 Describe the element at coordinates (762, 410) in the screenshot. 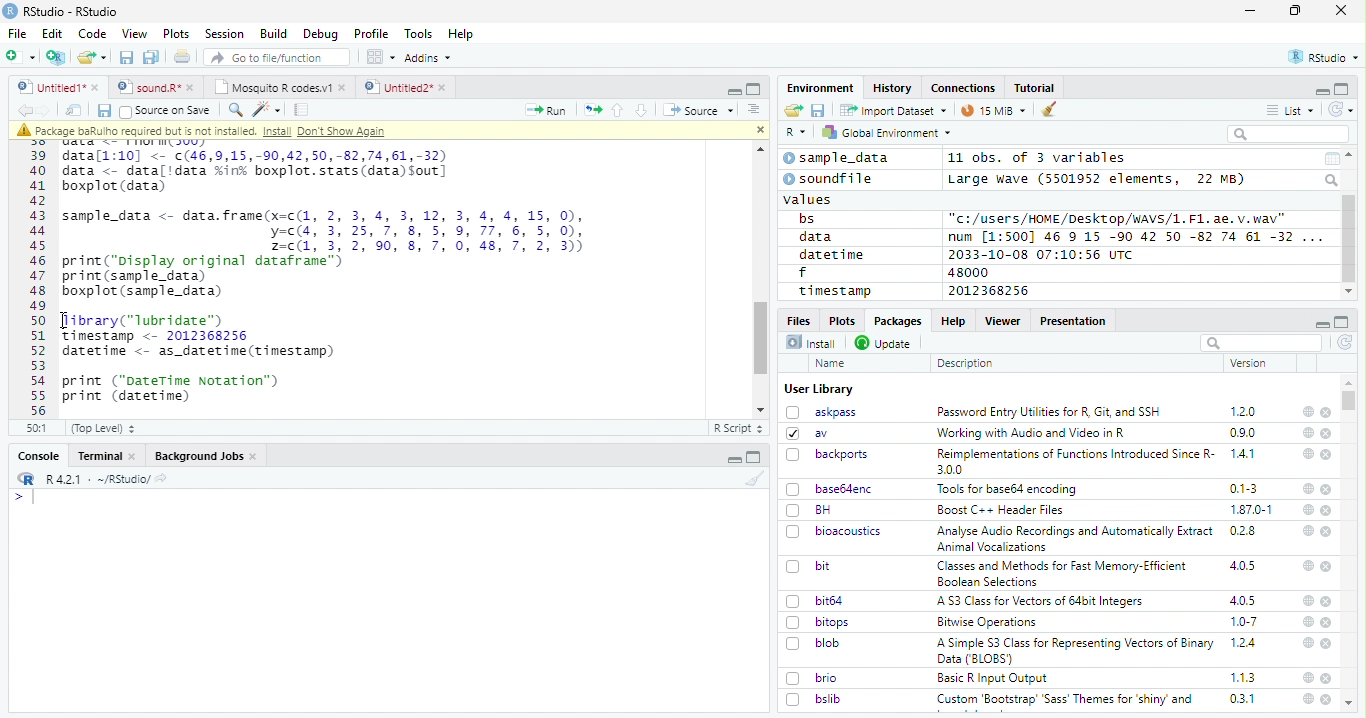

I see `scroll down` at that location.